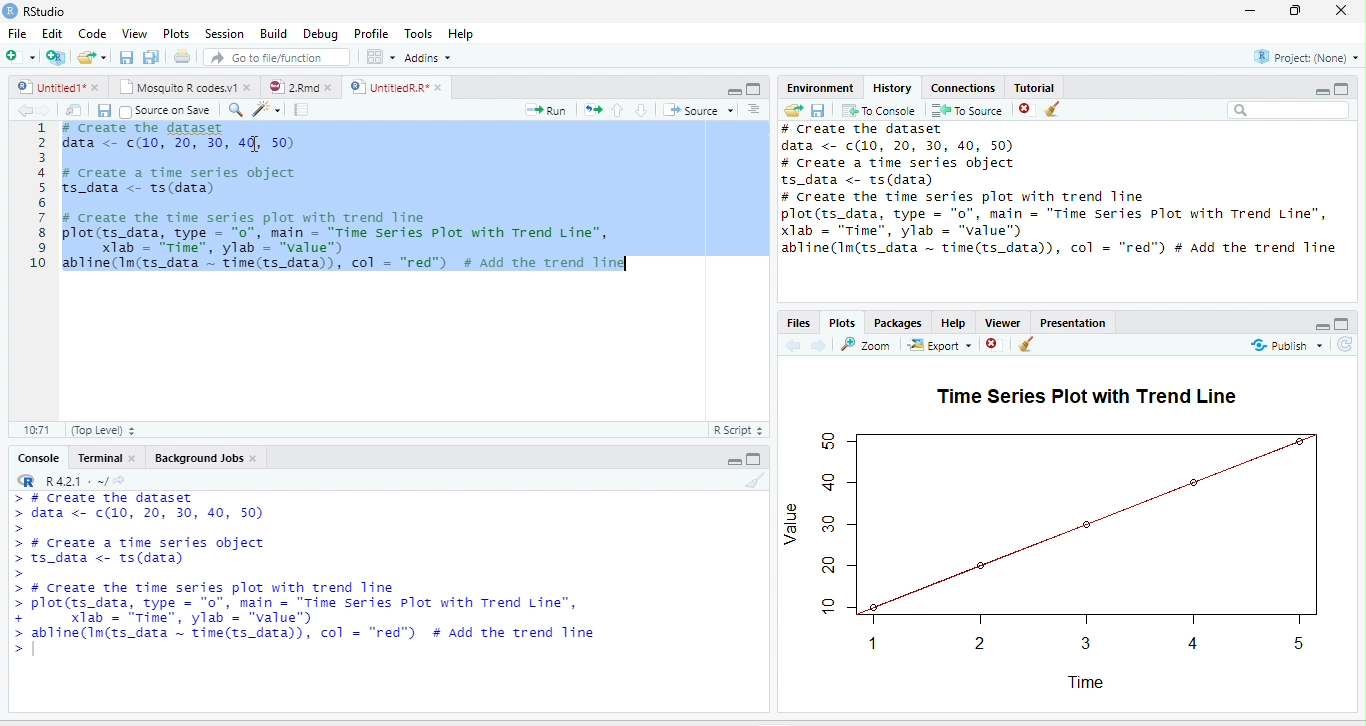 This screenshot has width=1366, height=726. Describe the element at coordinates (34, 10) in the screenshot. I see `RStudio` at that location.